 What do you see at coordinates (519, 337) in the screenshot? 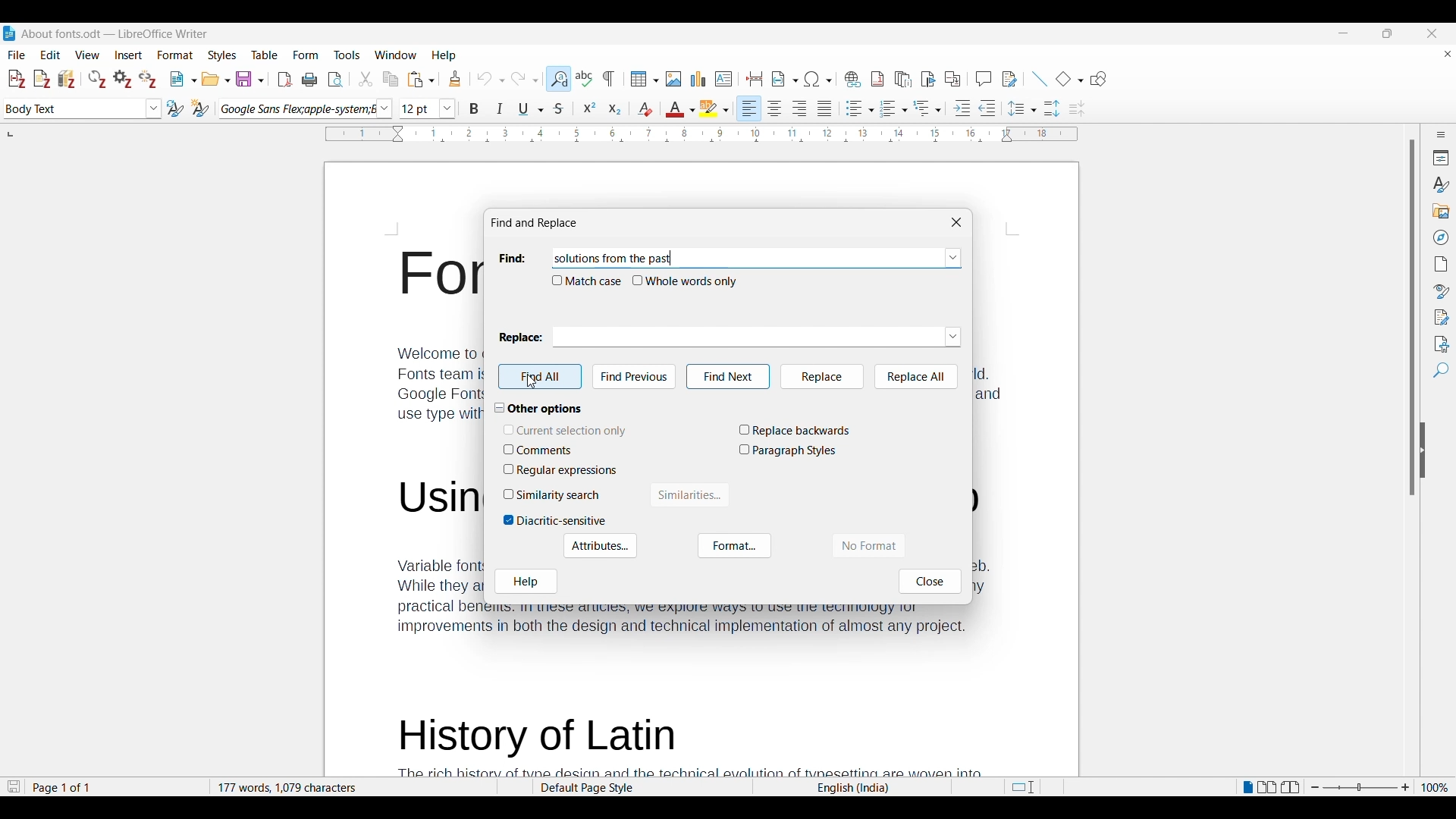
I see `Replace:` at bounding box center [519, 337].